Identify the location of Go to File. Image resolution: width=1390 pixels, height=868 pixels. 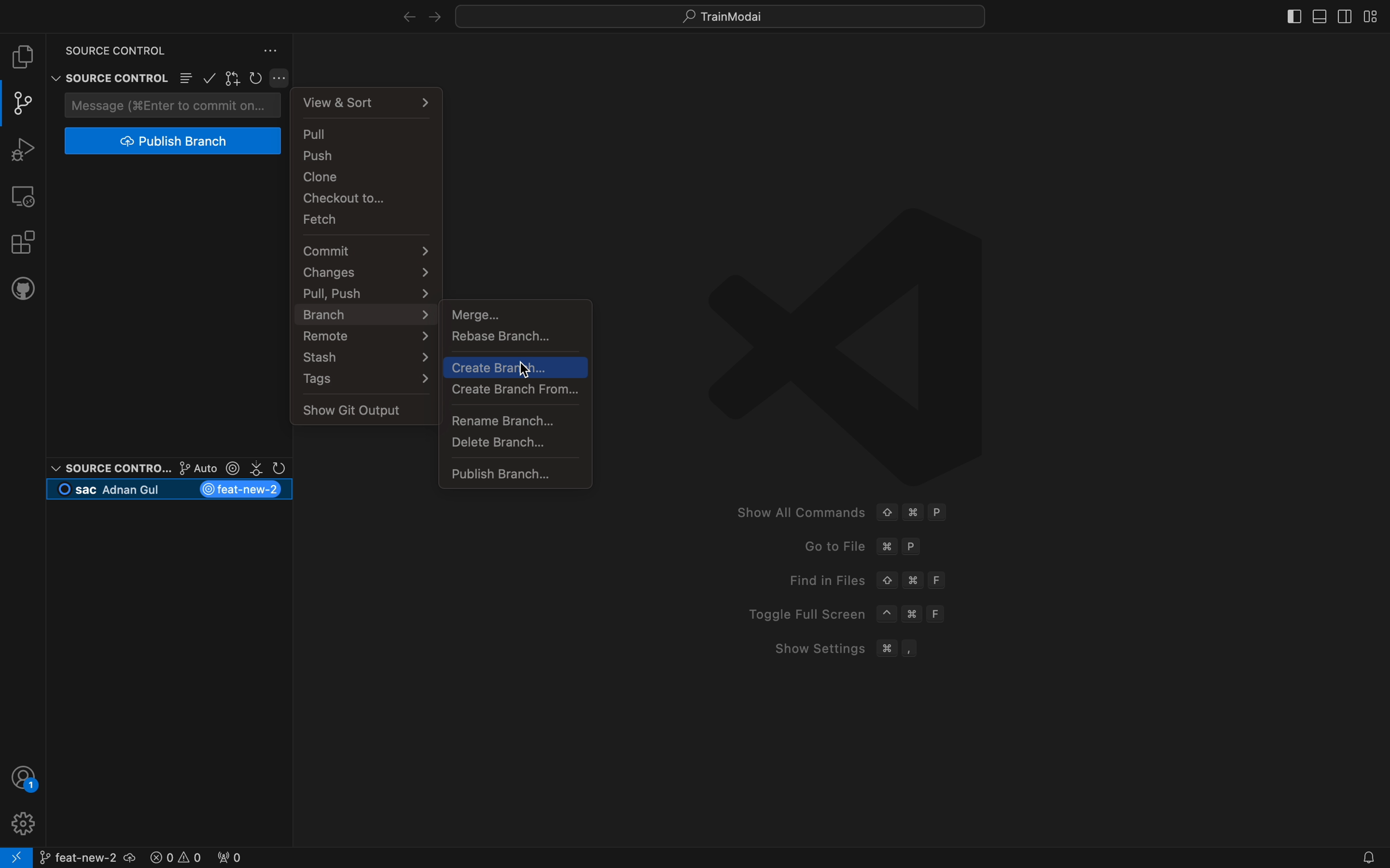
(823, 547).